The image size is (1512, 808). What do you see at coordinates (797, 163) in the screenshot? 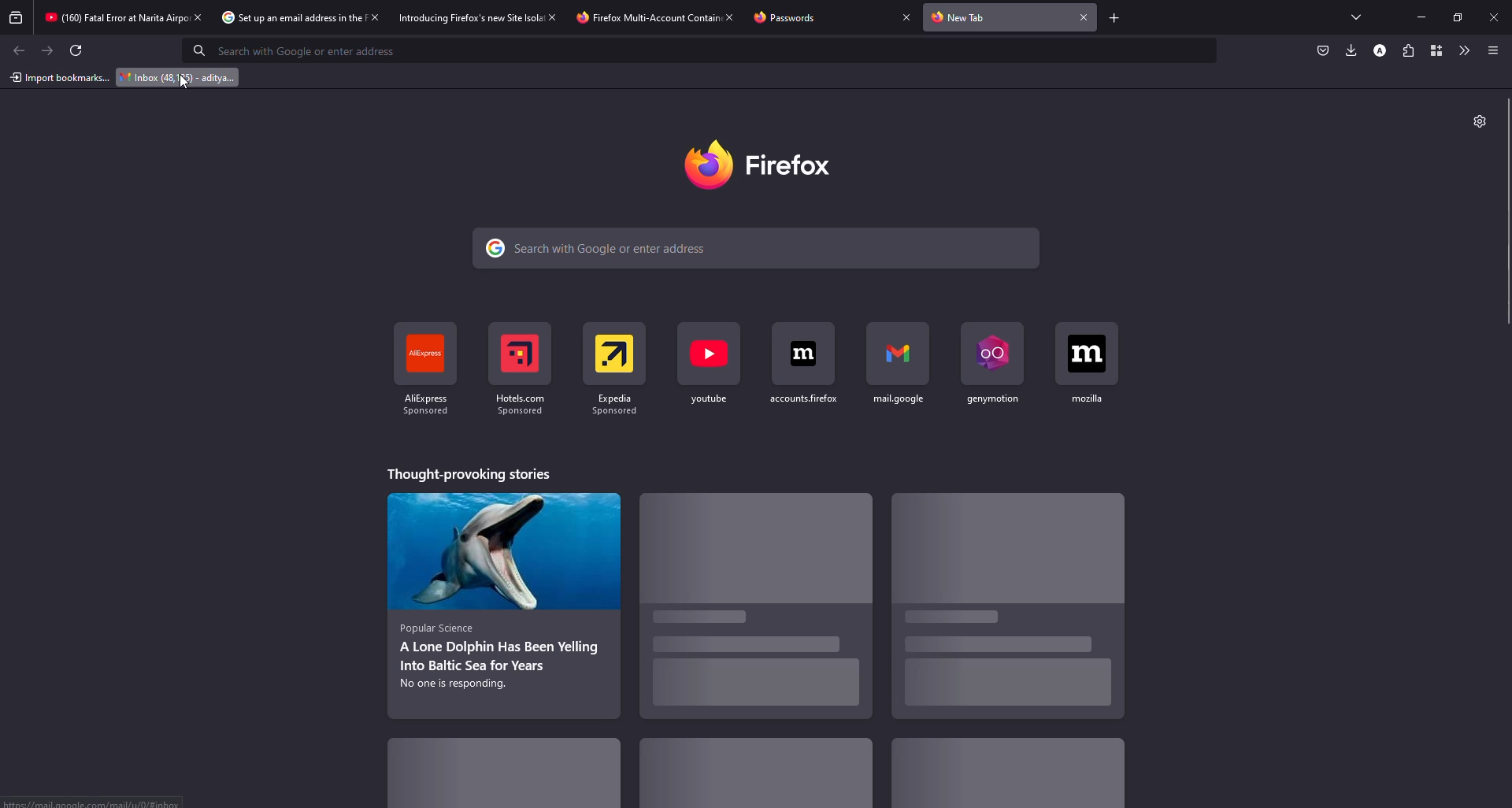
I see `firefox` at bounding box center [797, 163].